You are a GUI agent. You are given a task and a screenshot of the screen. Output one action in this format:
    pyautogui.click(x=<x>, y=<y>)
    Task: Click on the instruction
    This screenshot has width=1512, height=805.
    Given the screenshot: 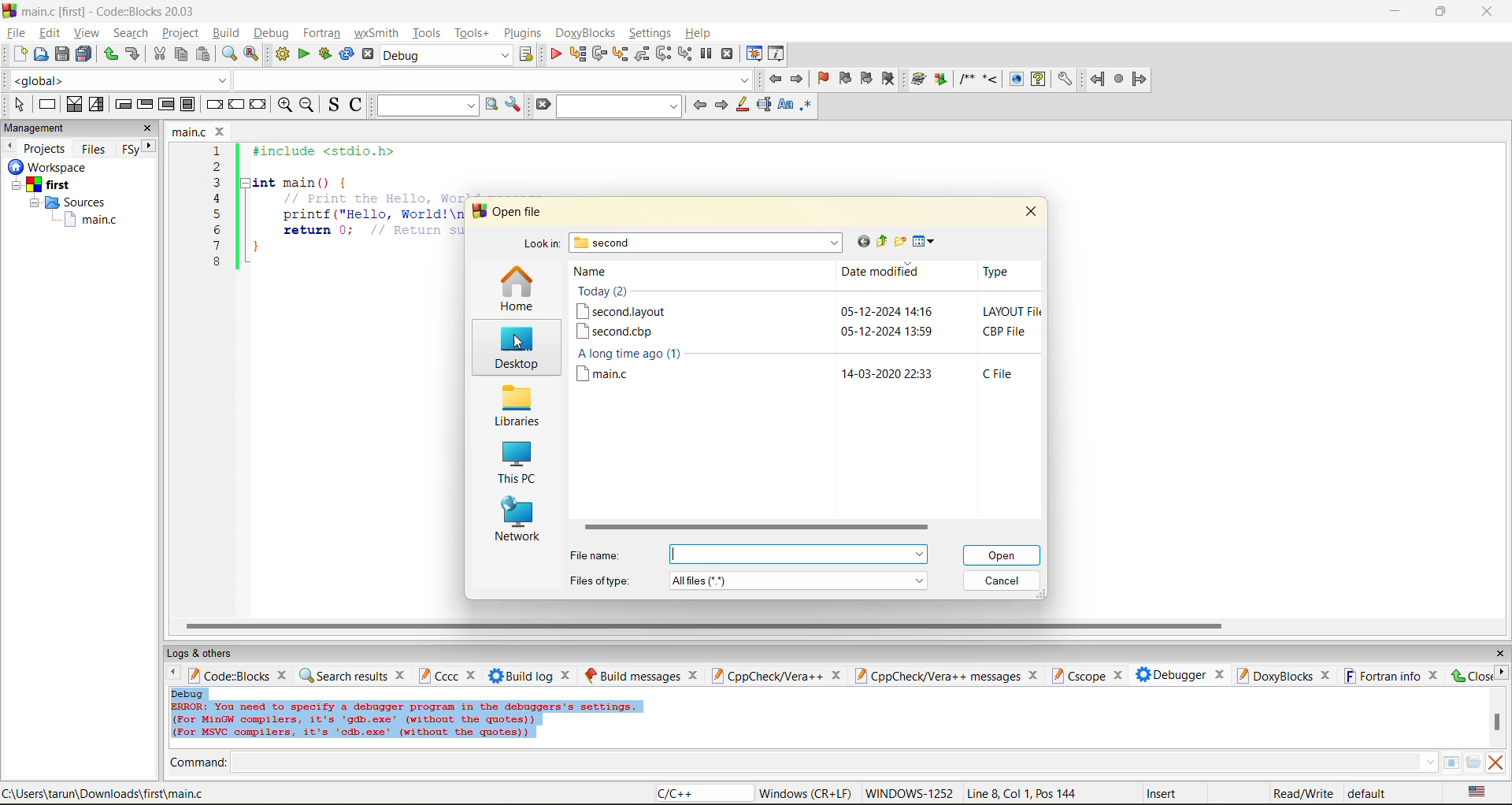 What is the action you would take?
    pyautogui.click(x=46, y=105)
    